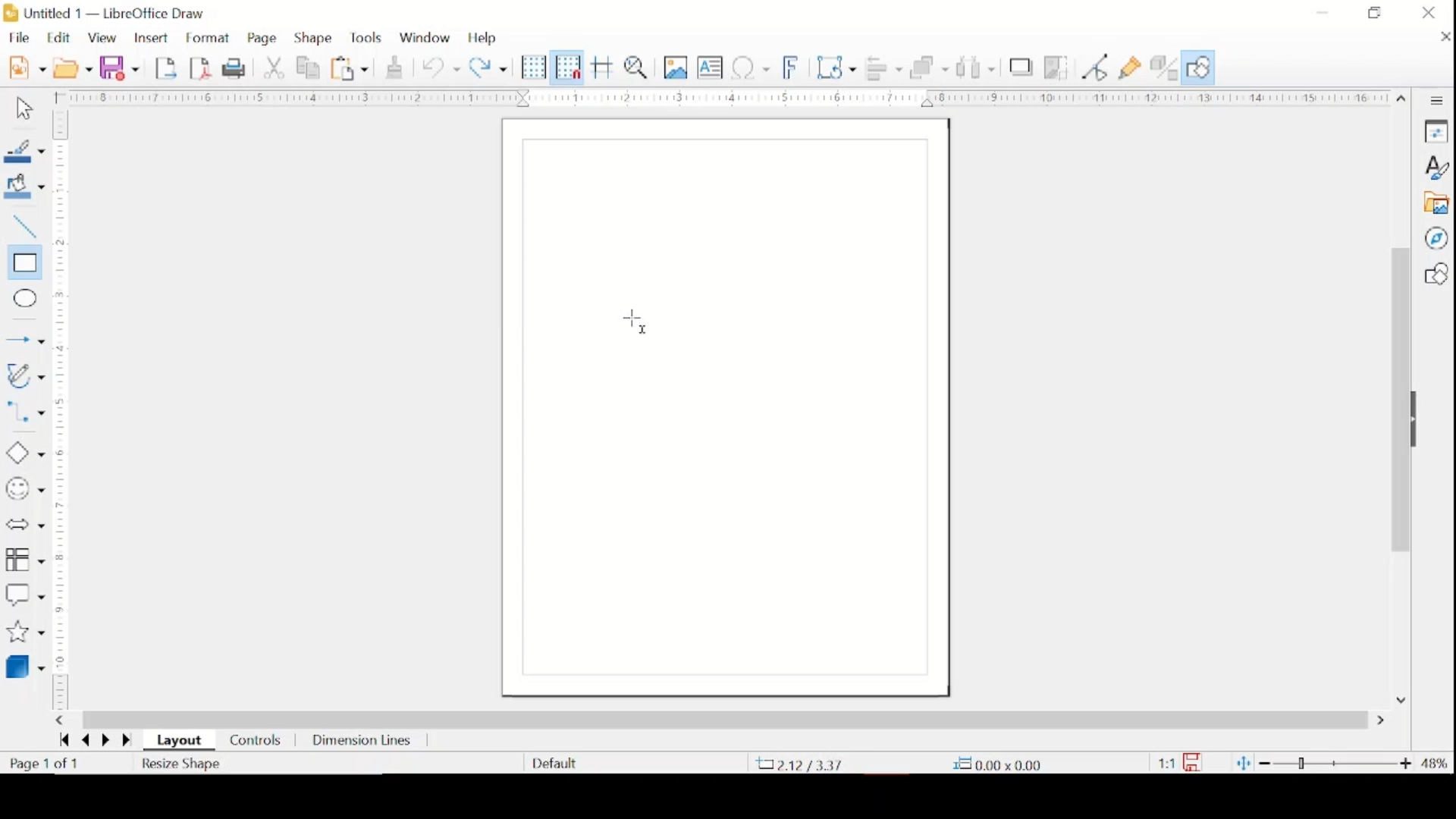 This screenshot has height=819, width=1456. Describe the element at coordinates (25, 341) in the screenshot. I see `insert line` at that location.